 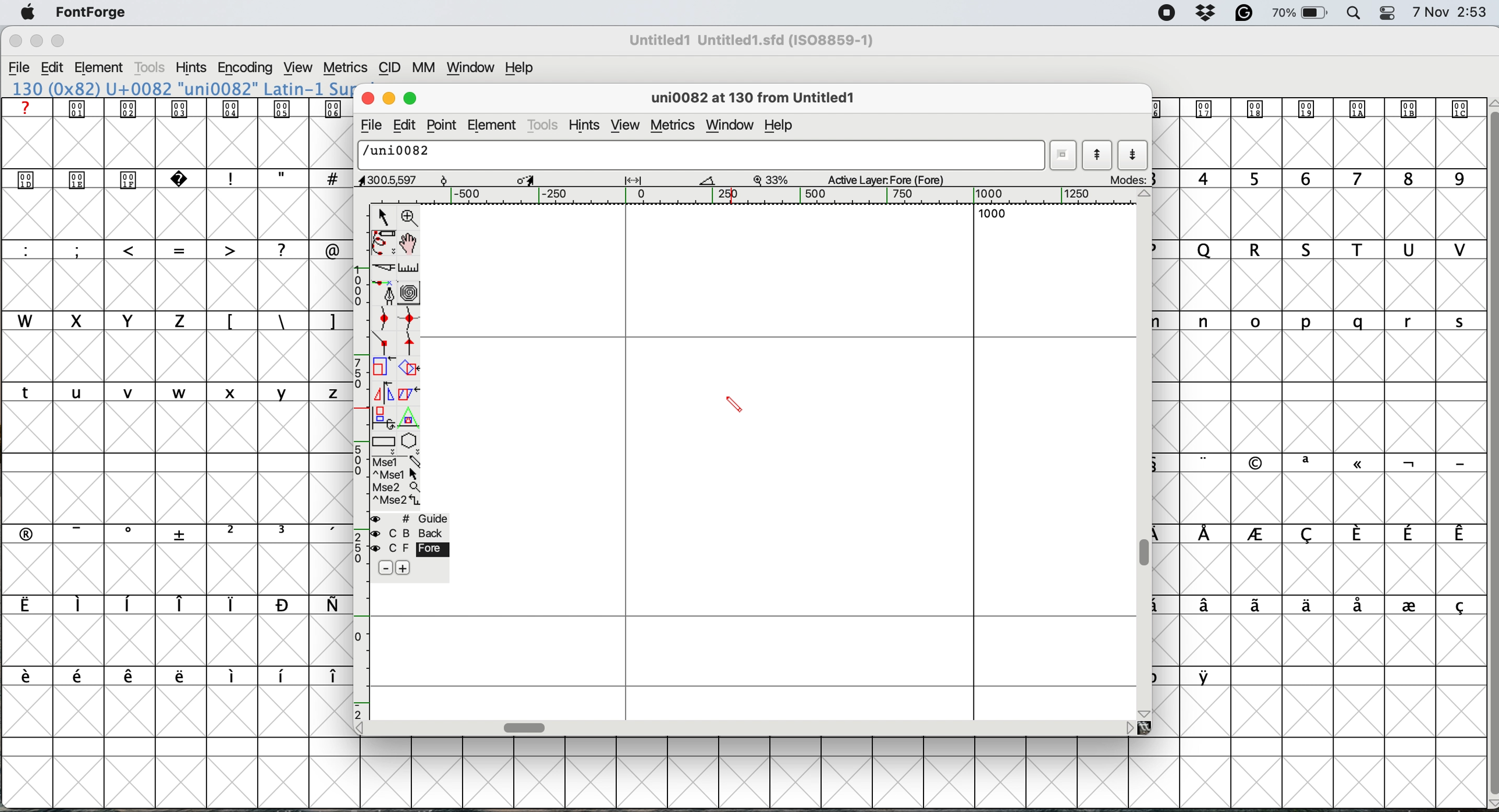 What do you see at coordinates (1310, 462) in the screenshot?
I see `special characters` at bounding box center [1310, 462].